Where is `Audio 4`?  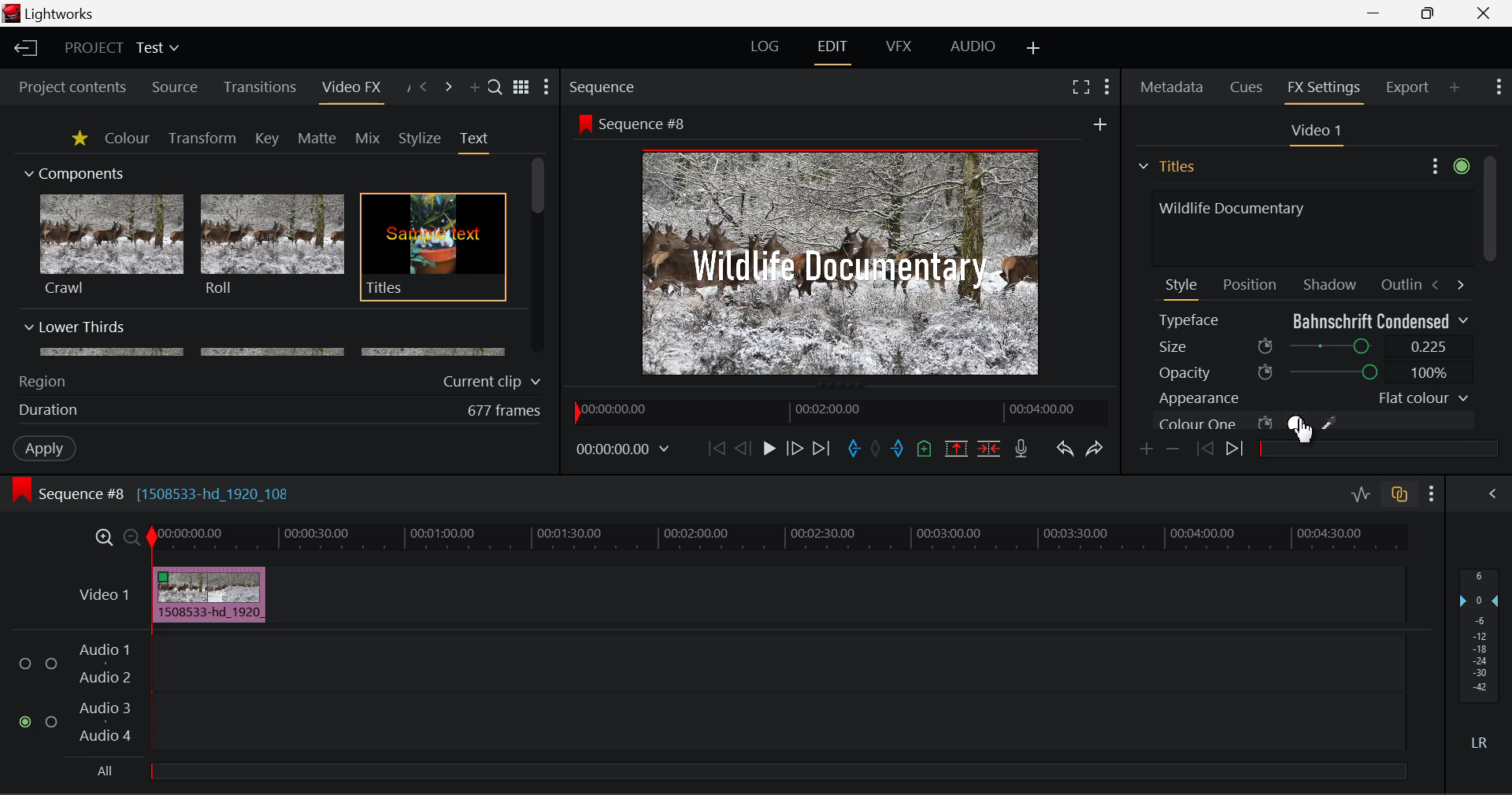 Audio 4 is located at coordinates (106, 734).